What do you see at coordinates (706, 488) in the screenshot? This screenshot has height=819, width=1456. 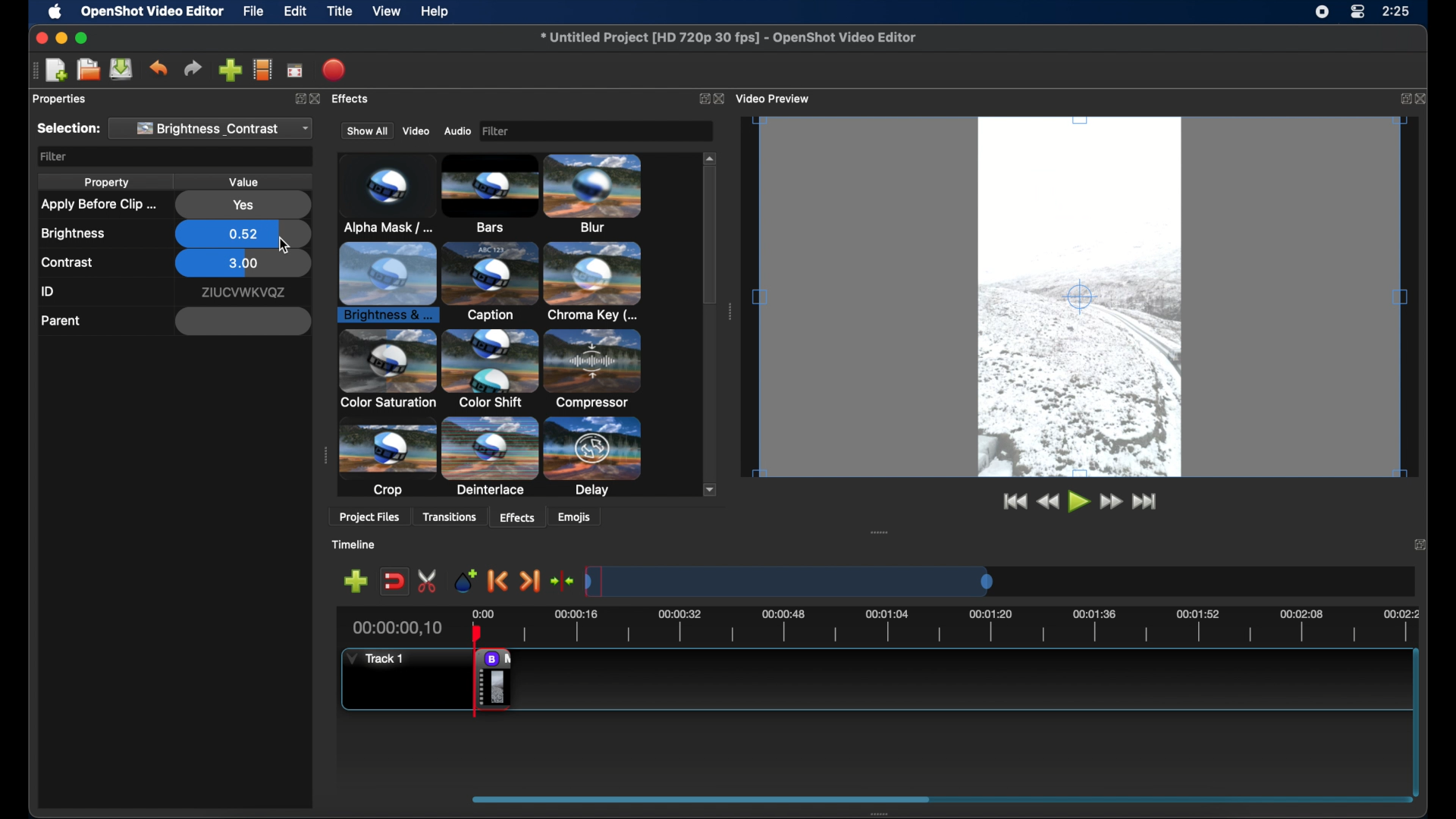 I see `scroll down arrow` at bounding box center [706, 488].